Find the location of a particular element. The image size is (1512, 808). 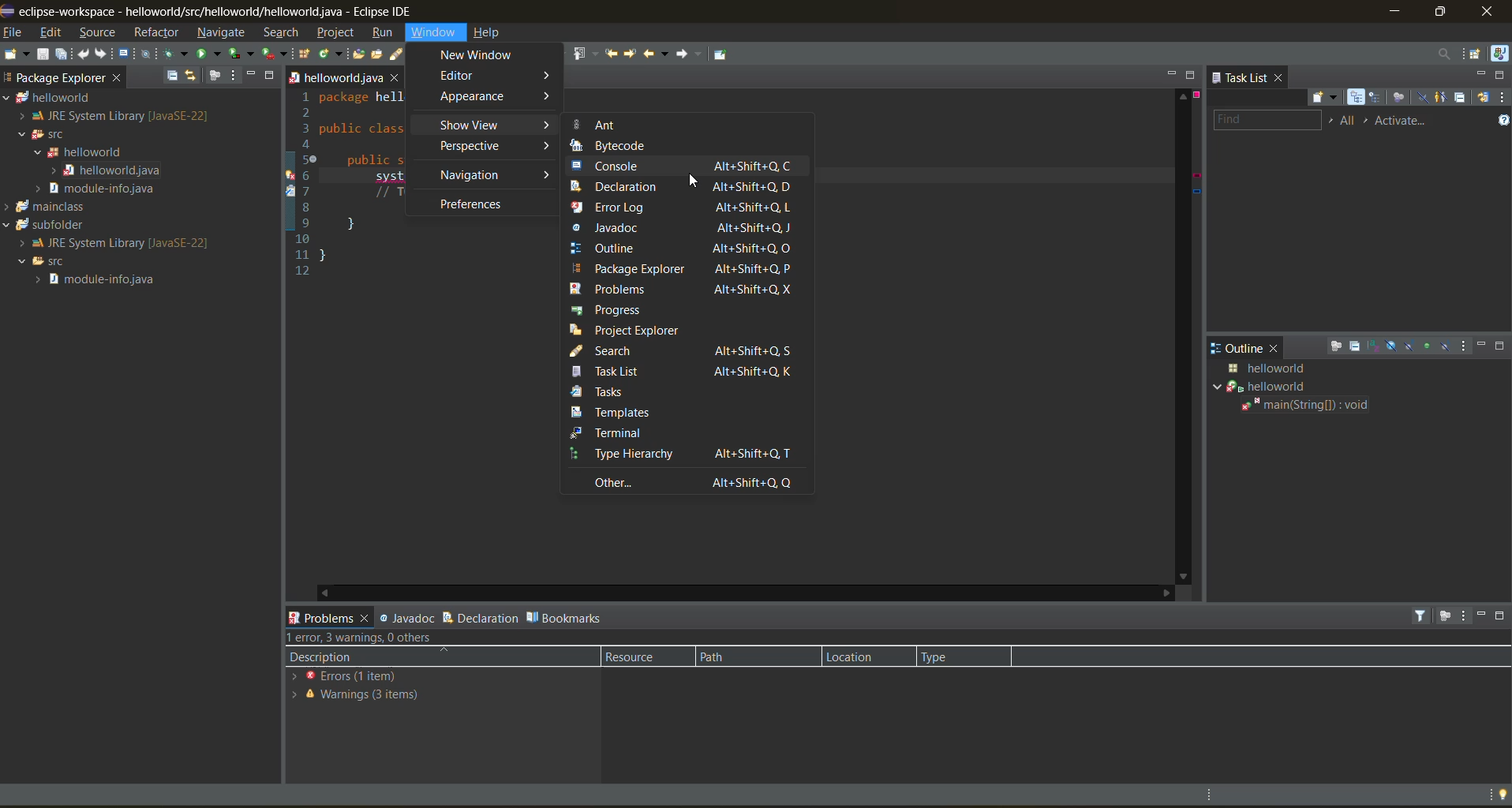

search is located at coordinates (279, 34).